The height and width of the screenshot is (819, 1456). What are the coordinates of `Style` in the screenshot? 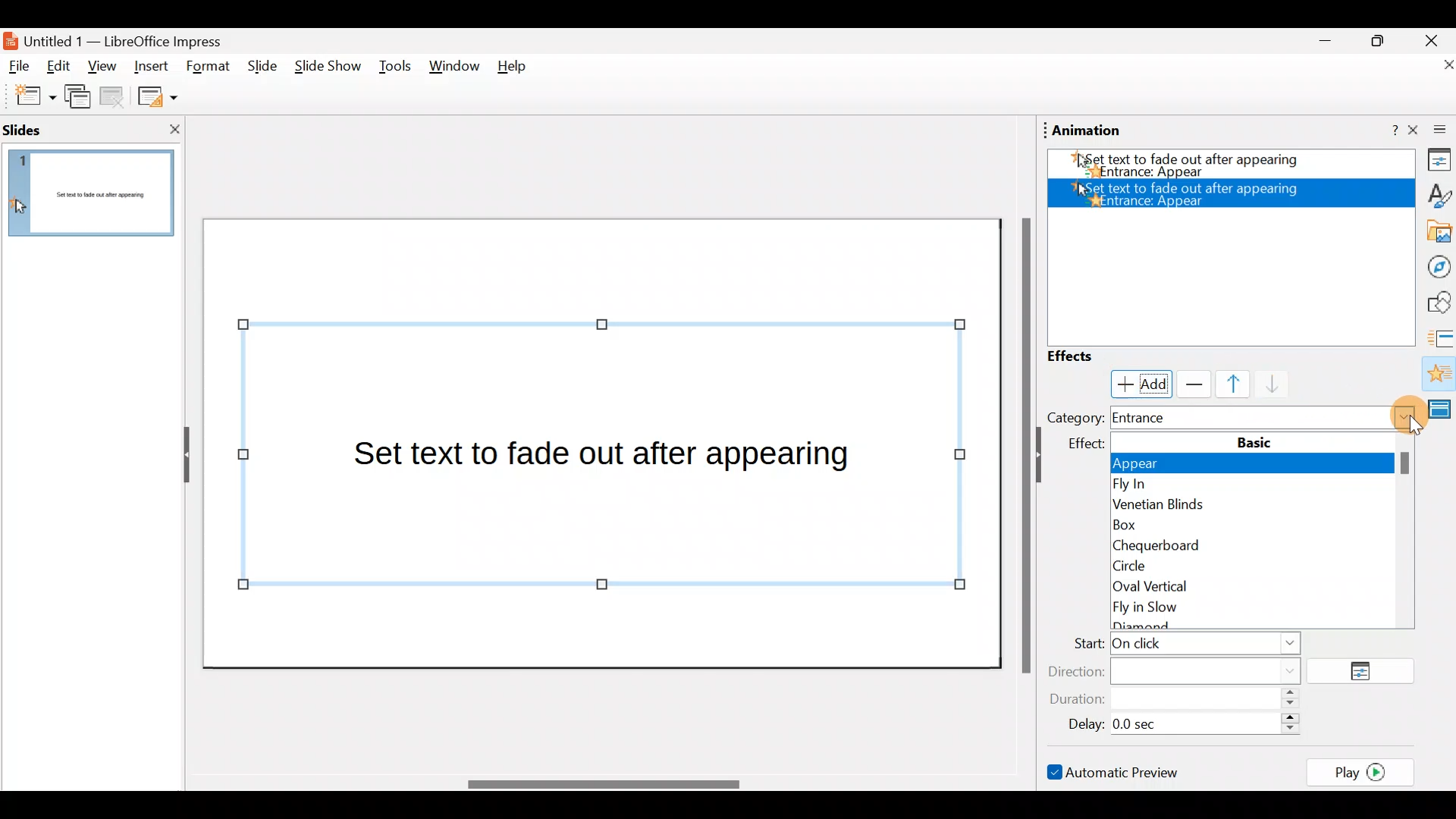 It's located at (1434, 194).